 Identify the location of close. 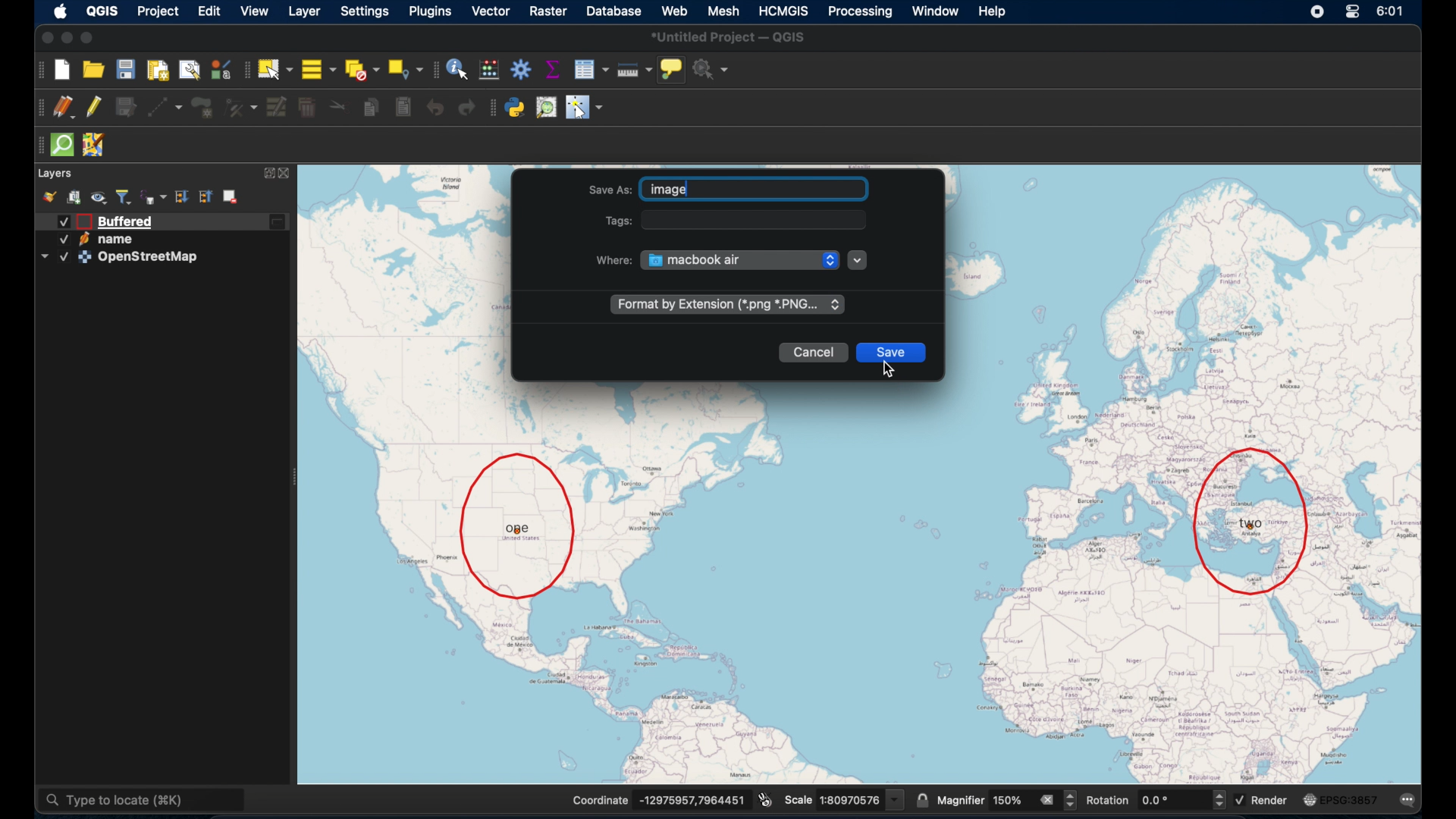
(45, 36).